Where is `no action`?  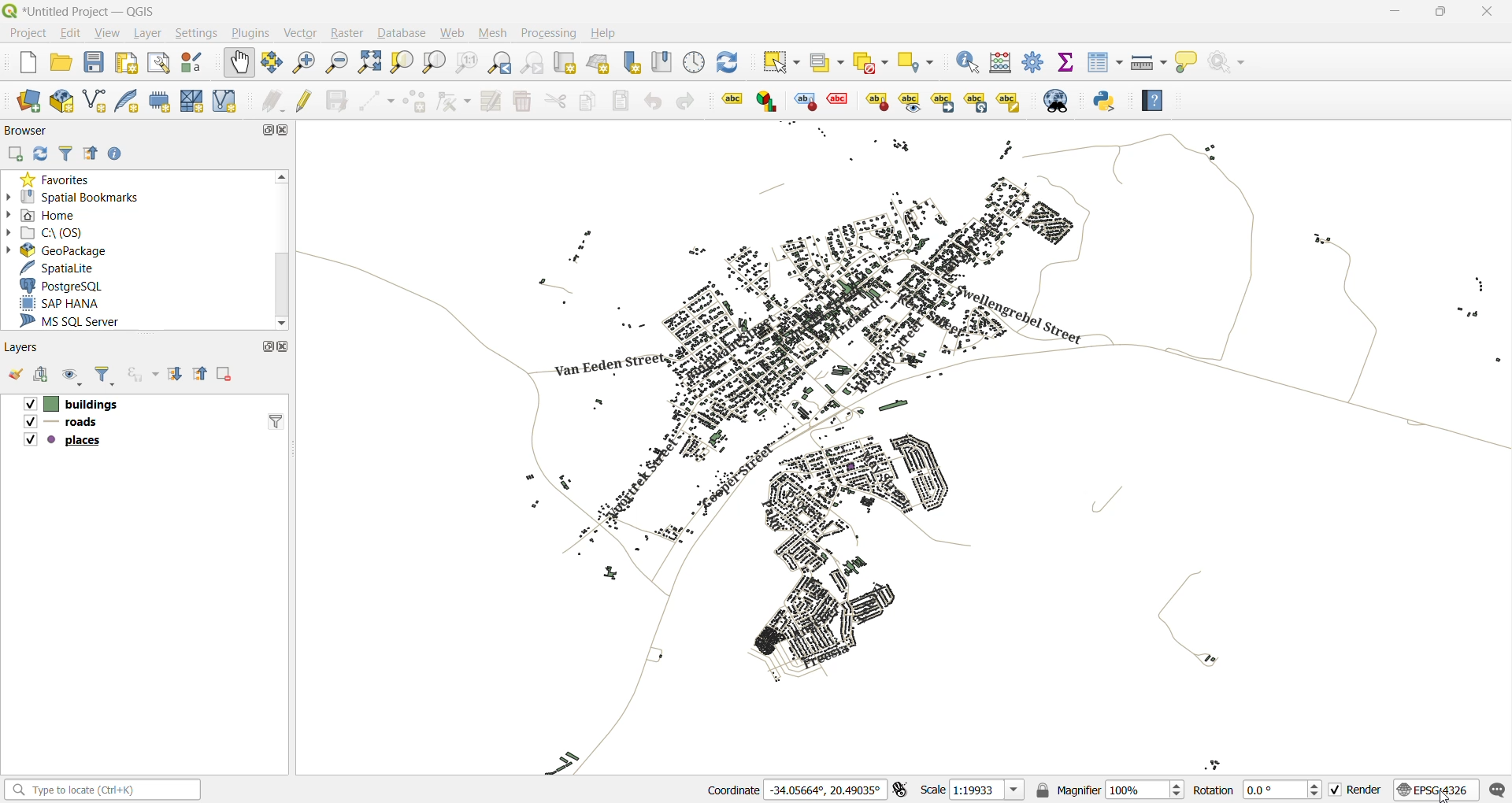
no action is located at coordinates (1232, 62).